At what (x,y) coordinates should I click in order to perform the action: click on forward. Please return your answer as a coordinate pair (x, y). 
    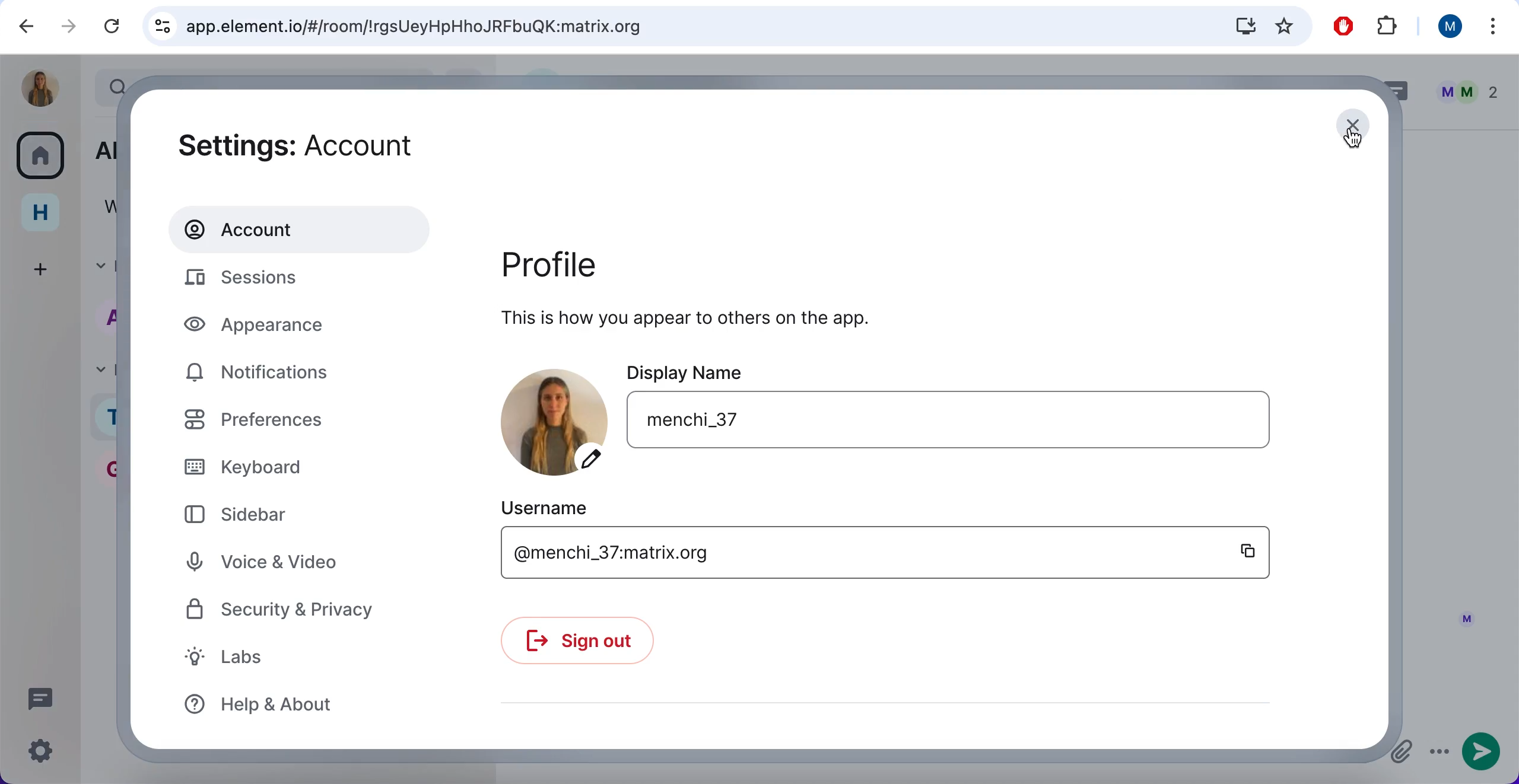
    Looking at the image, I should click on (68, 28).